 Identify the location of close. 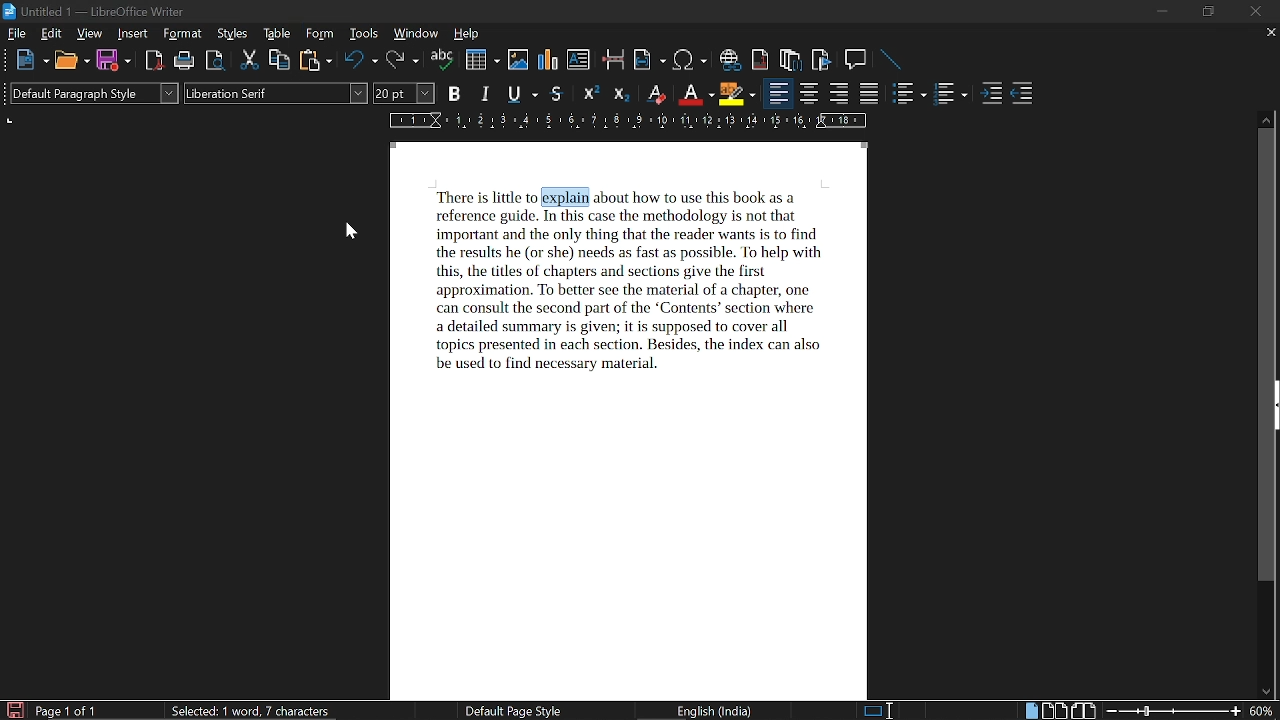
(1253, 12).